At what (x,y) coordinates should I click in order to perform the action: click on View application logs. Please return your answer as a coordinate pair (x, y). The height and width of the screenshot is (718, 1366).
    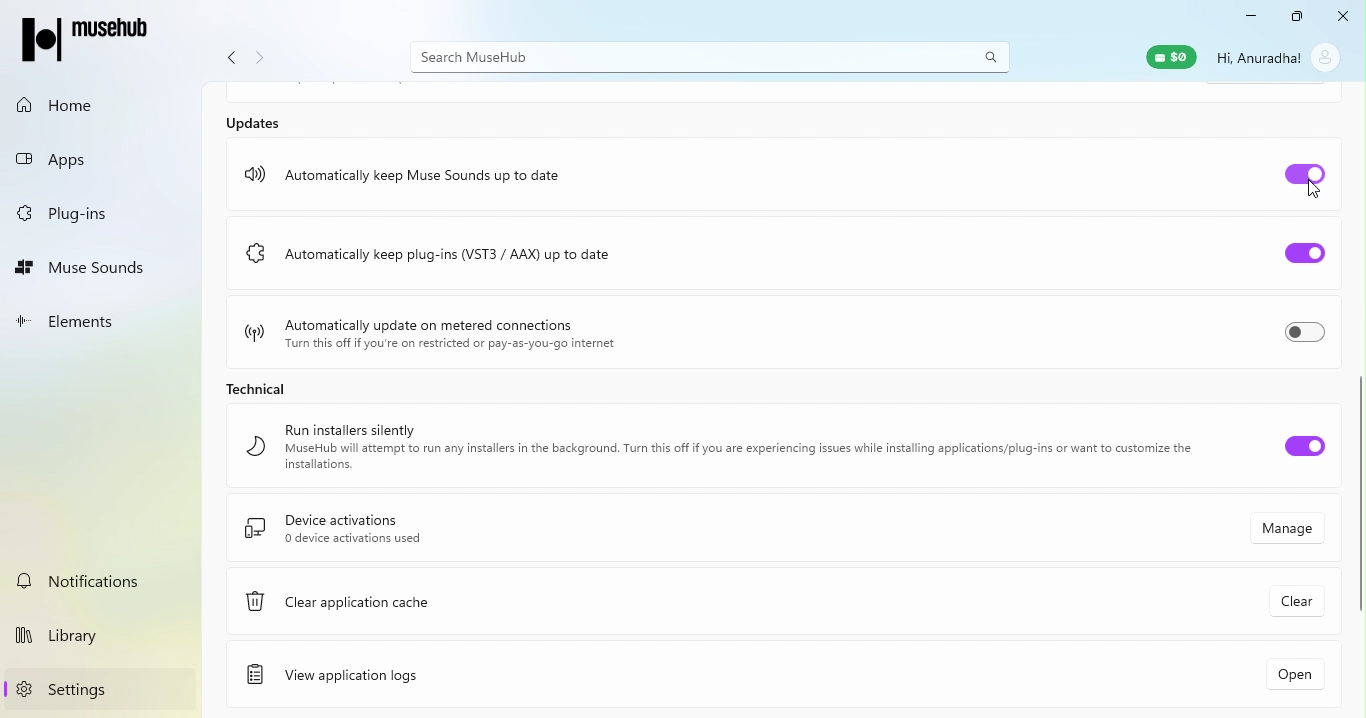
    Looking at the image, I should click on (439, 674).